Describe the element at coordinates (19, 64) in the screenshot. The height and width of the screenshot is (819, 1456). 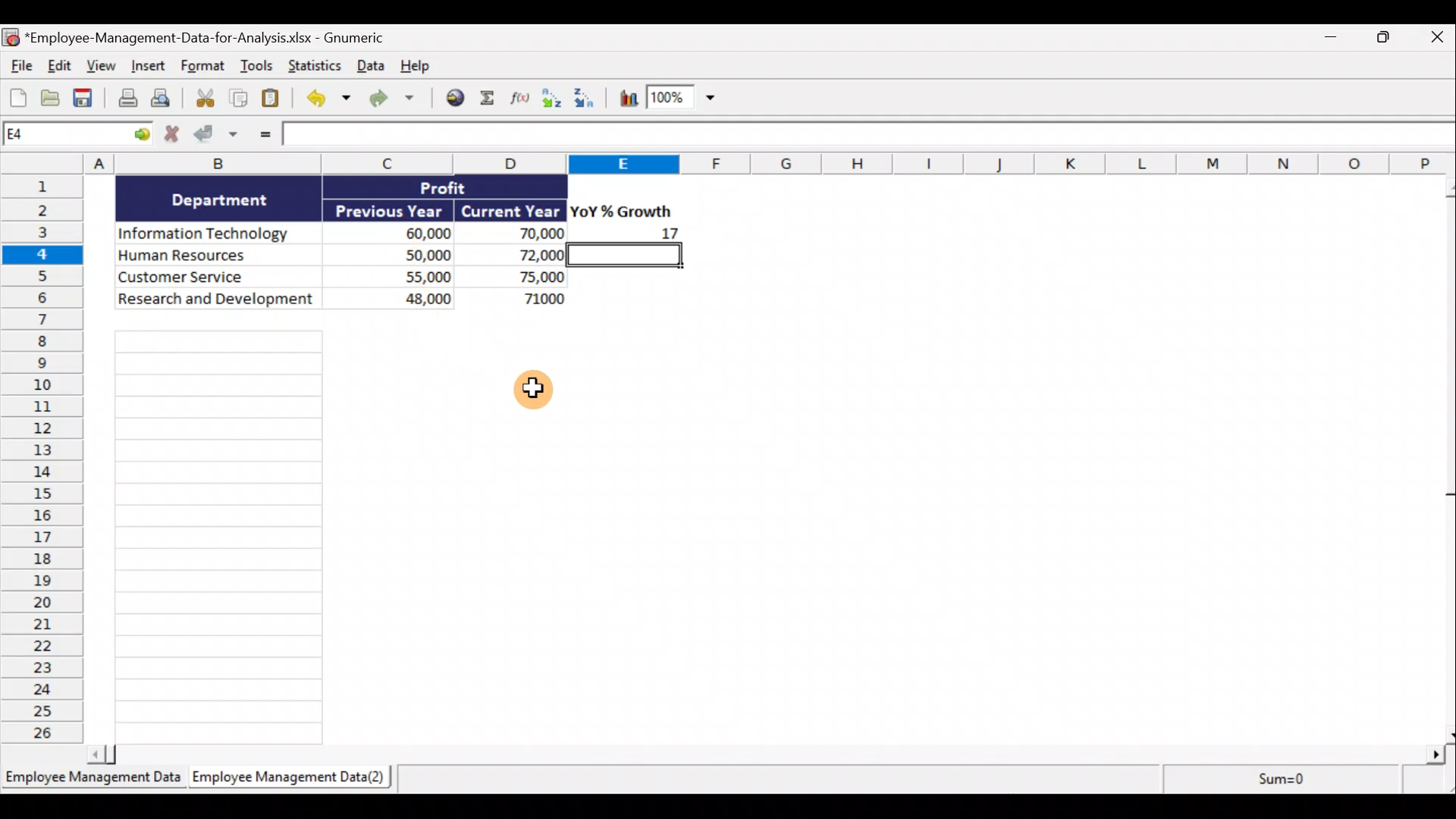
I see `File` at that location.